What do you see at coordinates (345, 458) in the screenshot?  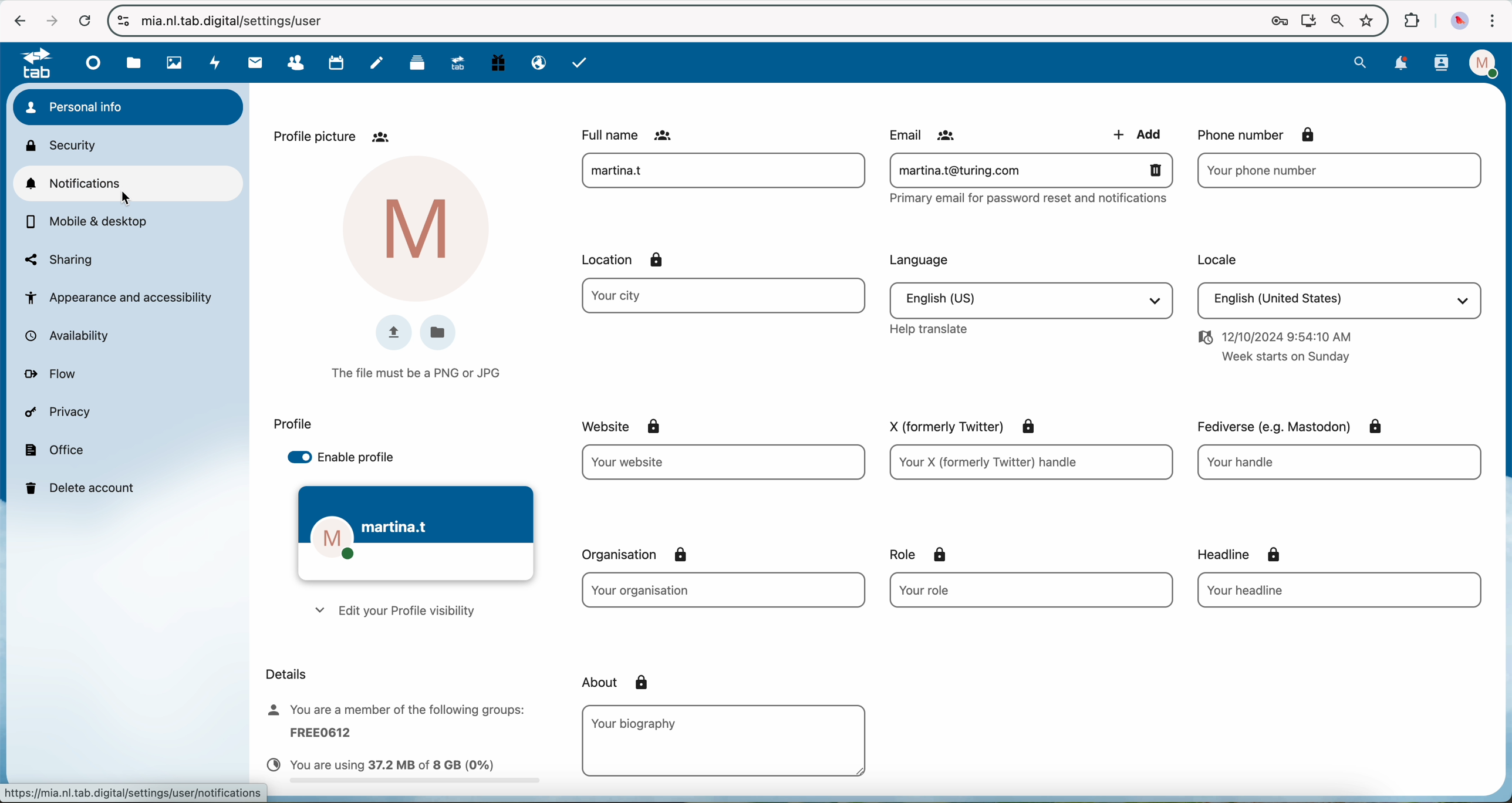 I see `enable profile` at bounding box center [345, 458].